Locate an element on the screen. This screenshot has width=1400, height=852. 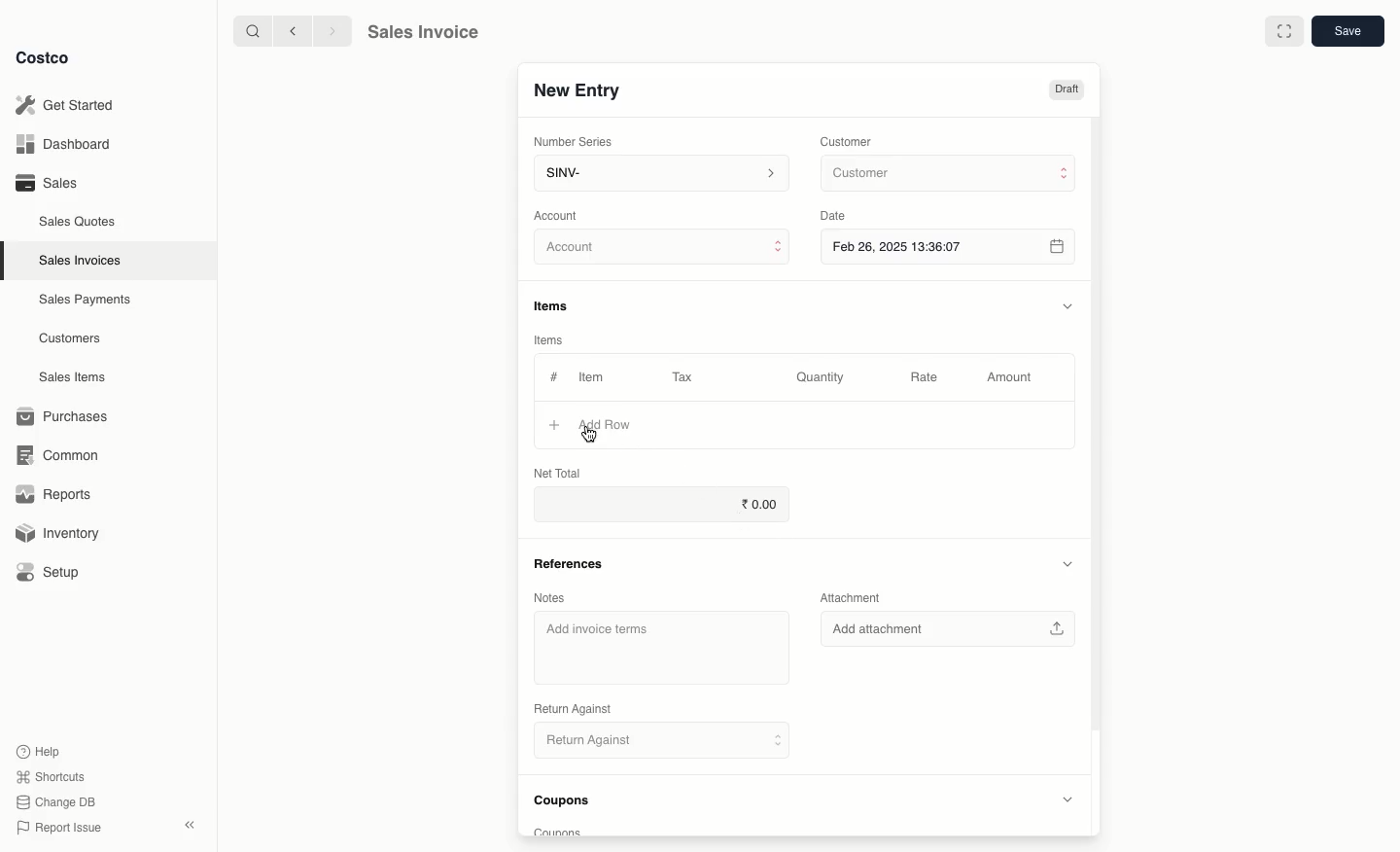
New Entry is located at coordinates (576, 89).